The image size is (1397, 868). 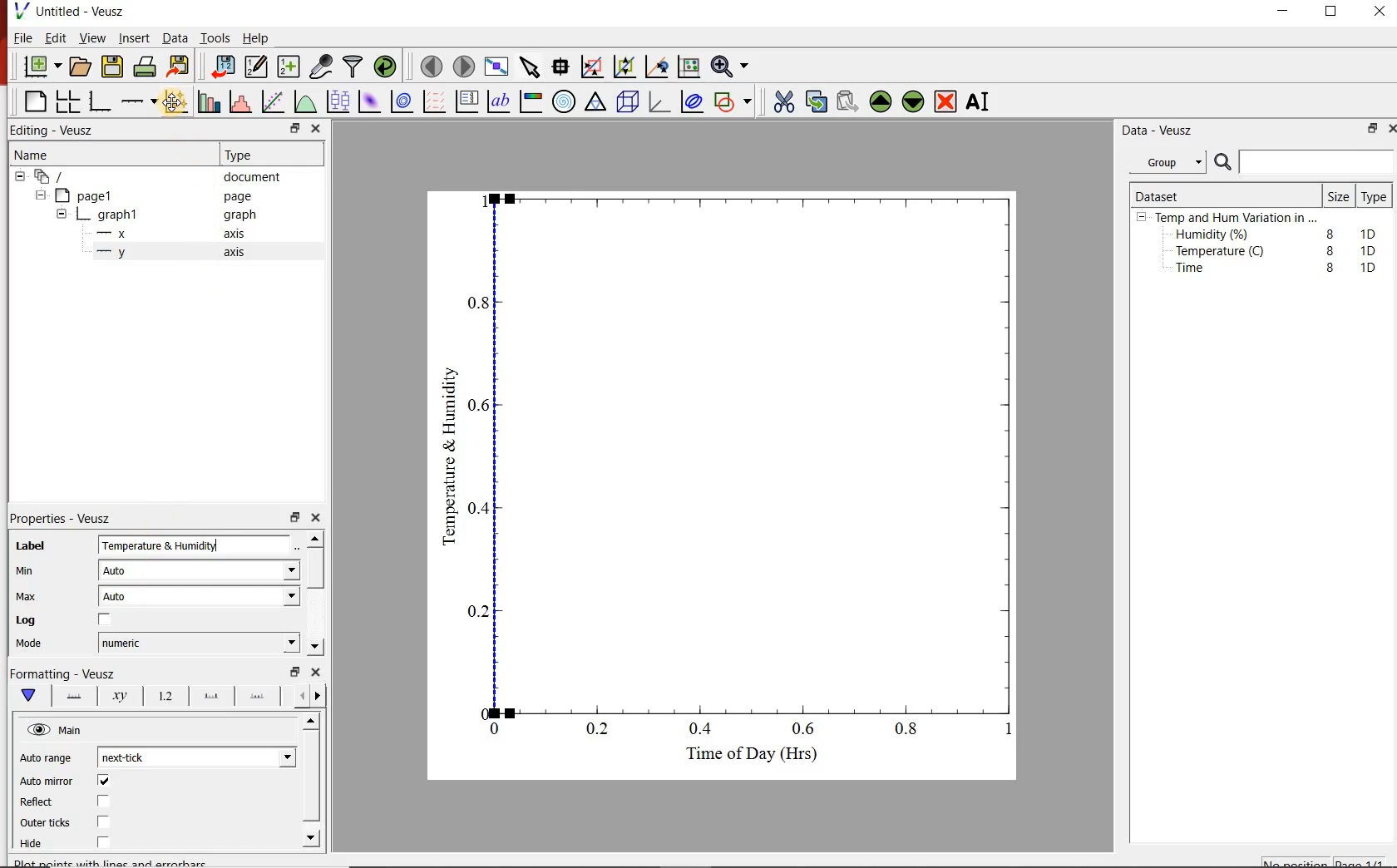 What do you see at coordinates (370, 102) in the screenshot?
I see `plot a 2d dataset as an image` at bounding box center [370, 102].